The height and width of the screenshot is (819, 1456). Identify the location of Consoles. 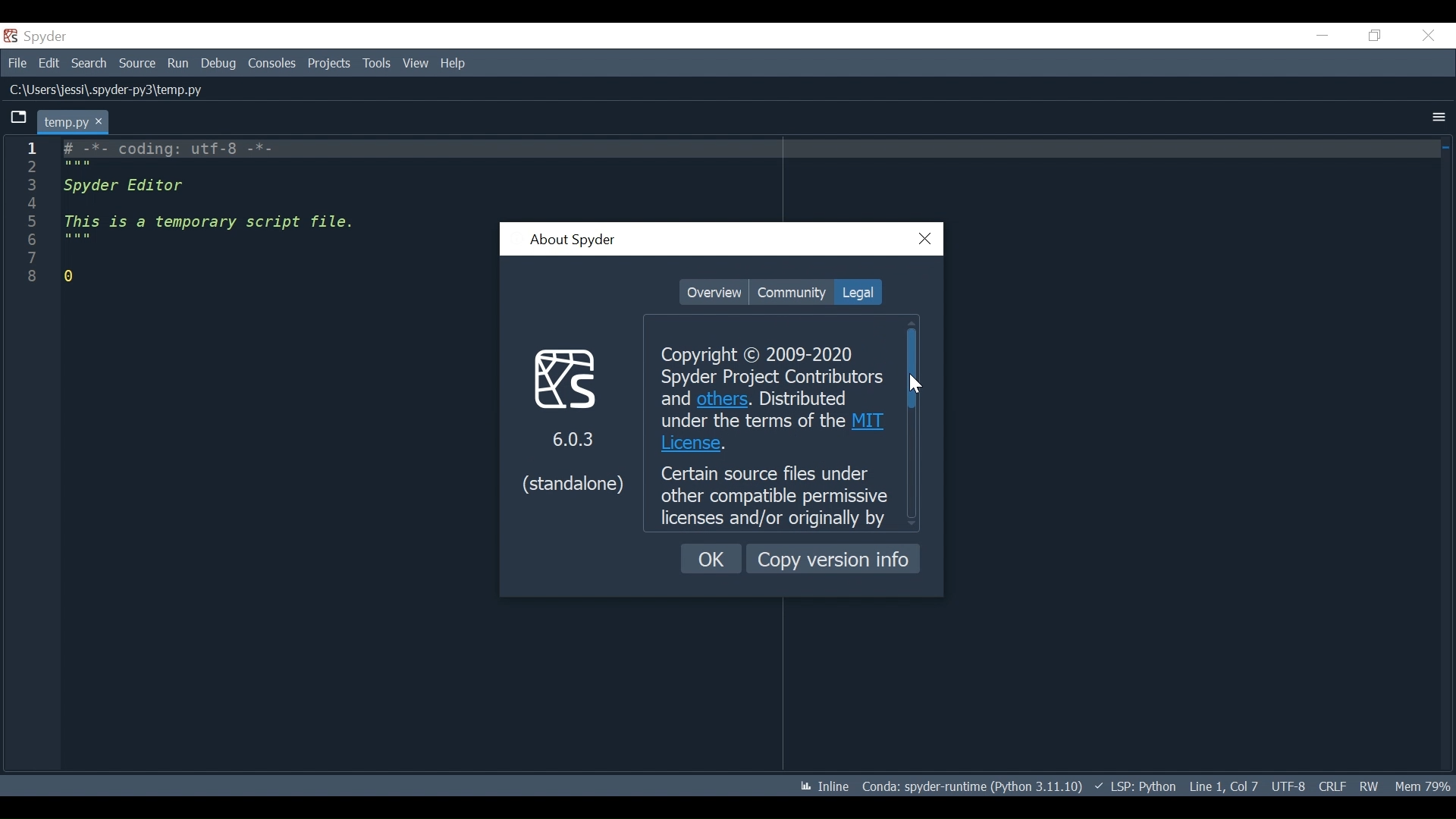
(271, 64).